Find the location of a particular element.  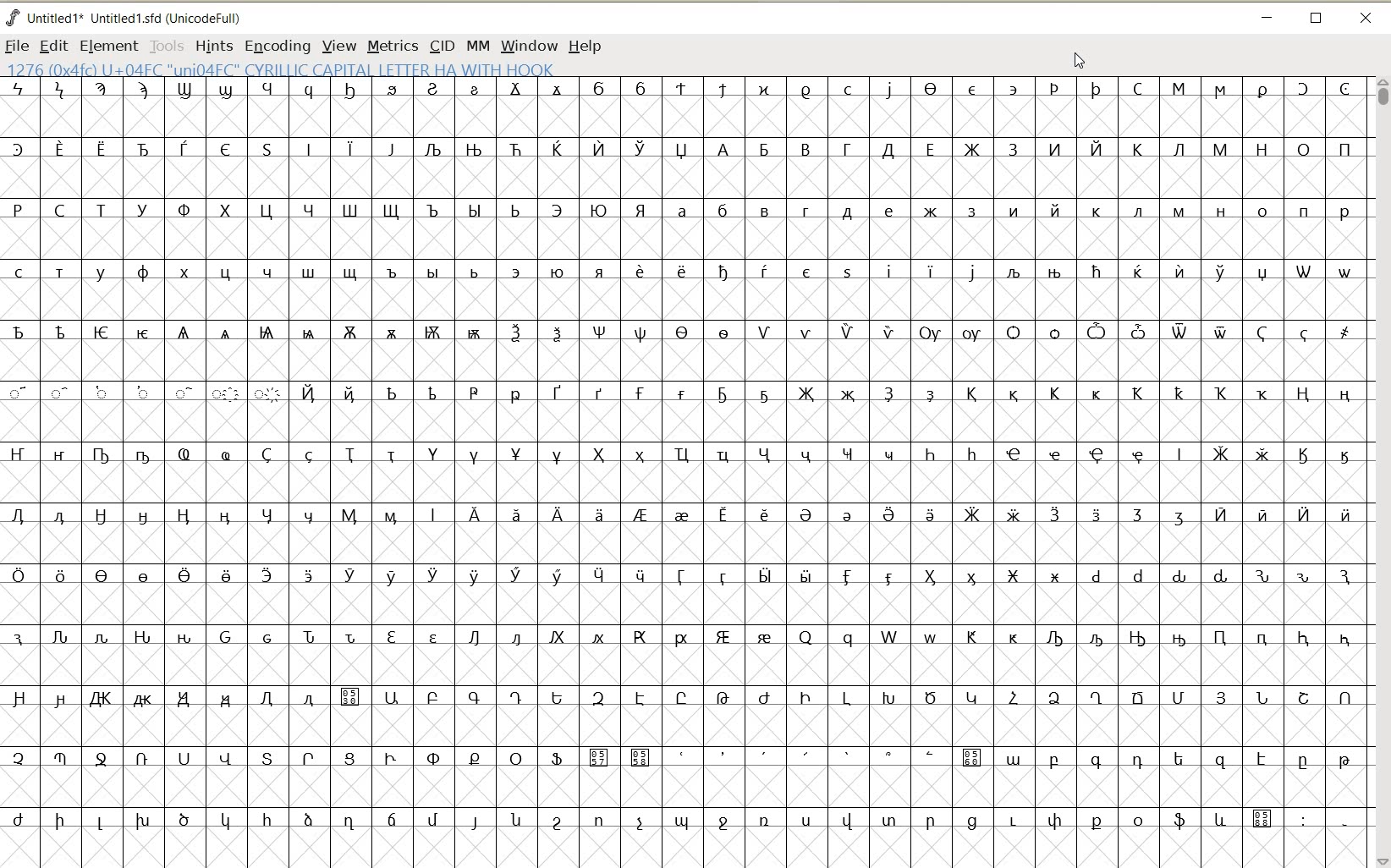

METRICS is located at coordinates (393, 45).